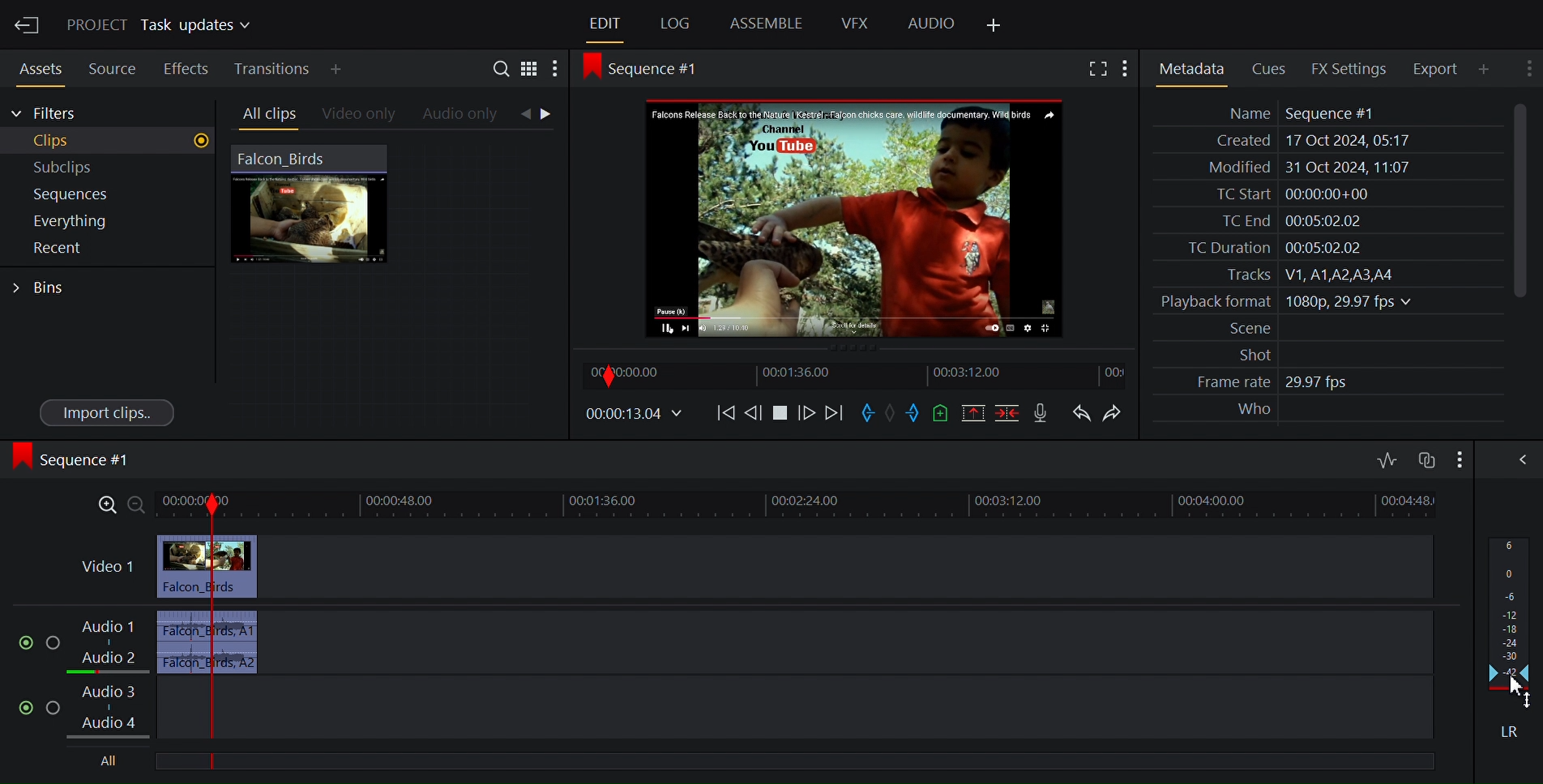 The width and height of the screenshot is (1543, 784). Describe the element at coordinates (1007, 413) in the screenshot. I see `Delete/cut` at that location.